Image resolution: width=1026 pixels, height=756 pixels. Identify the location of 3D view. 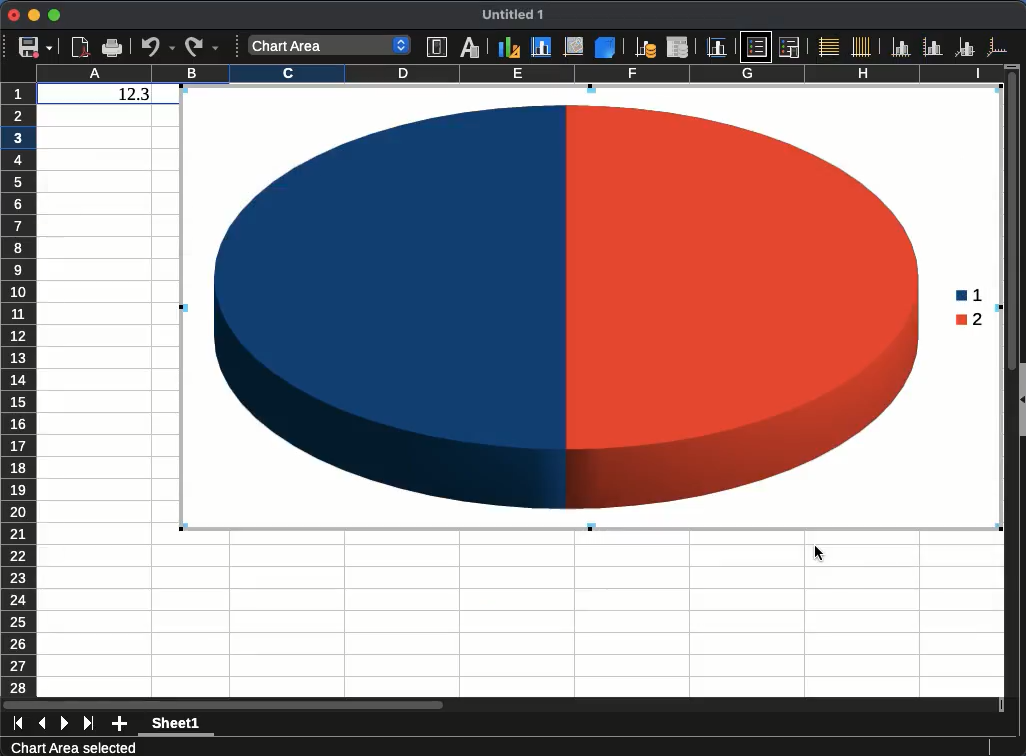
(605, 47).